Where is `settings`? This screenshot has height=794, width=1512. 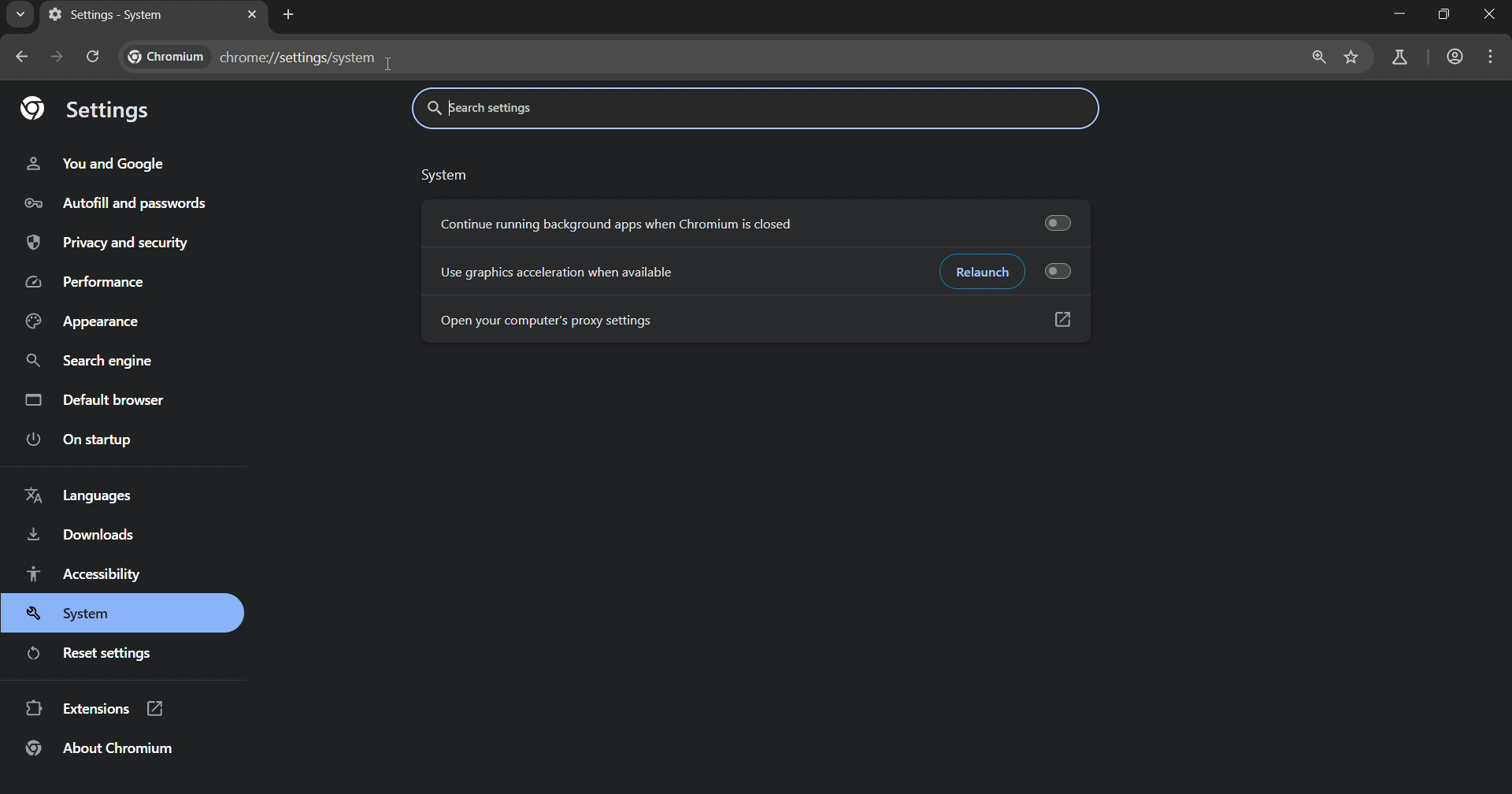
settings is located at coordinates (89, 109).